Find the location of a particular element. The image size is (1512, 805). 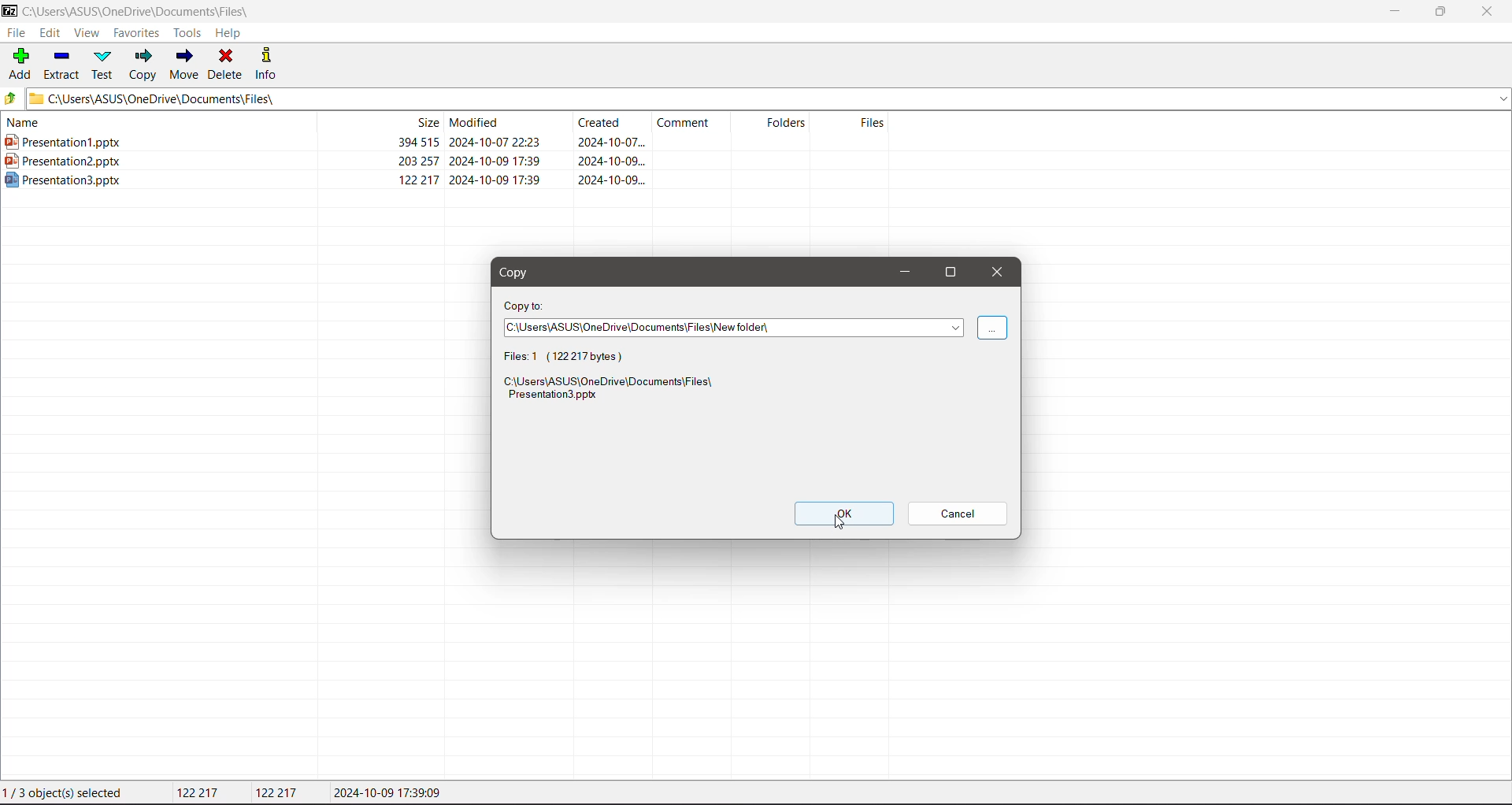

Created Date is located at coordinates (613, 124).